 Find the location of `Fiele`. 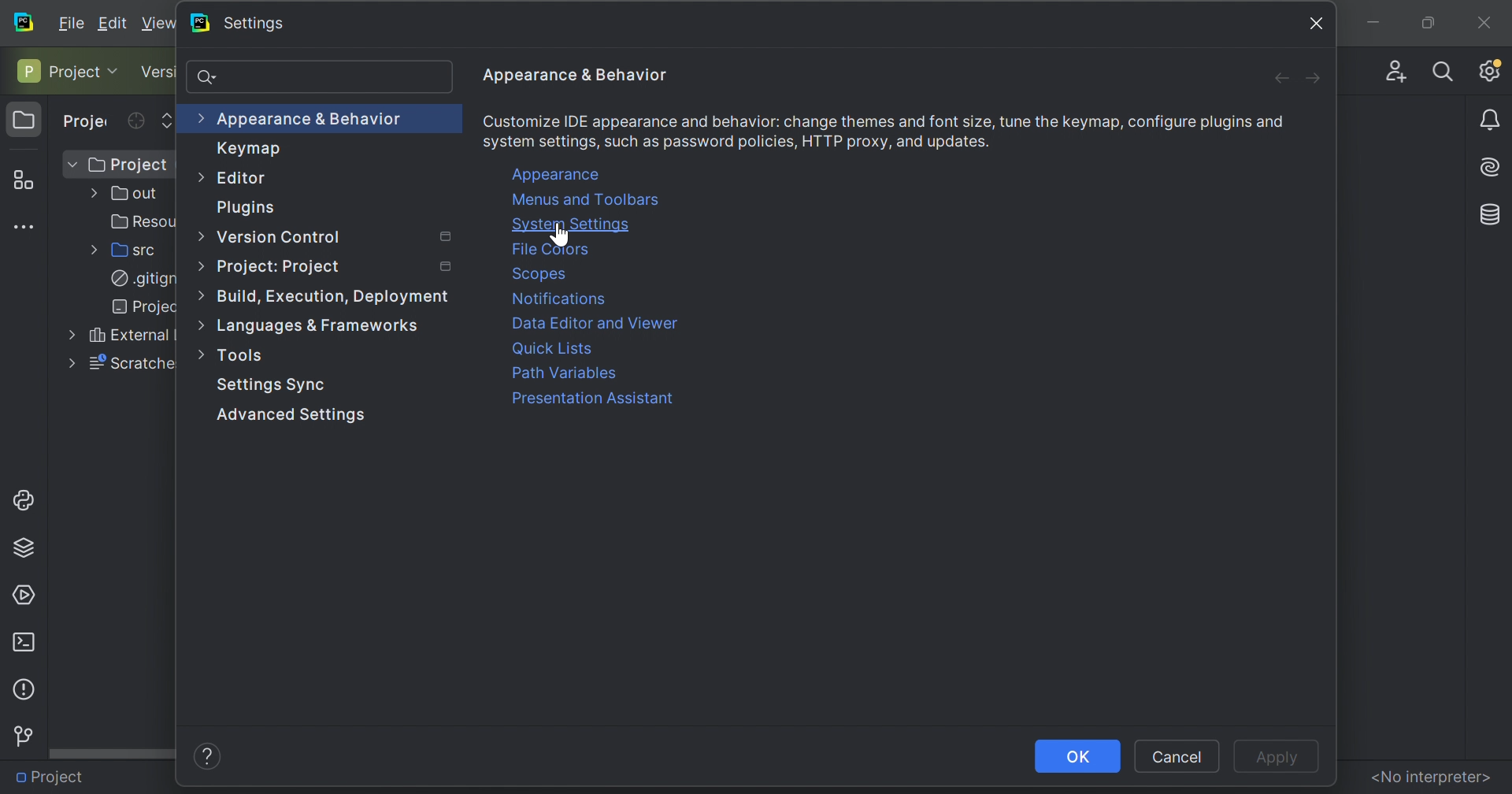

Fiele is located at coordinates (73, 21).